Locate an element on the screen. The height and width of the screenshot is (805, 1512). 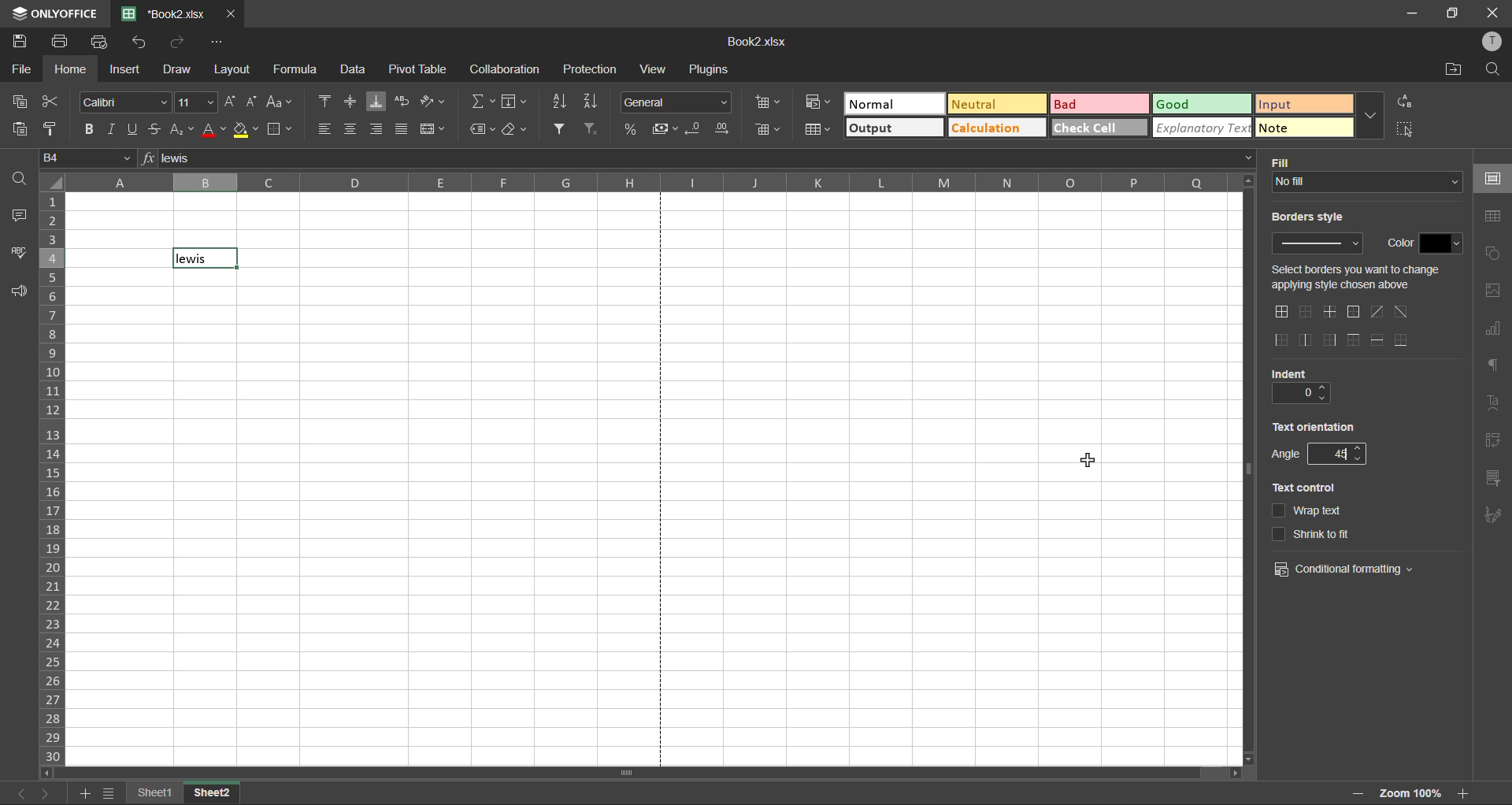
insert cells is located at coordinates (771, 104).